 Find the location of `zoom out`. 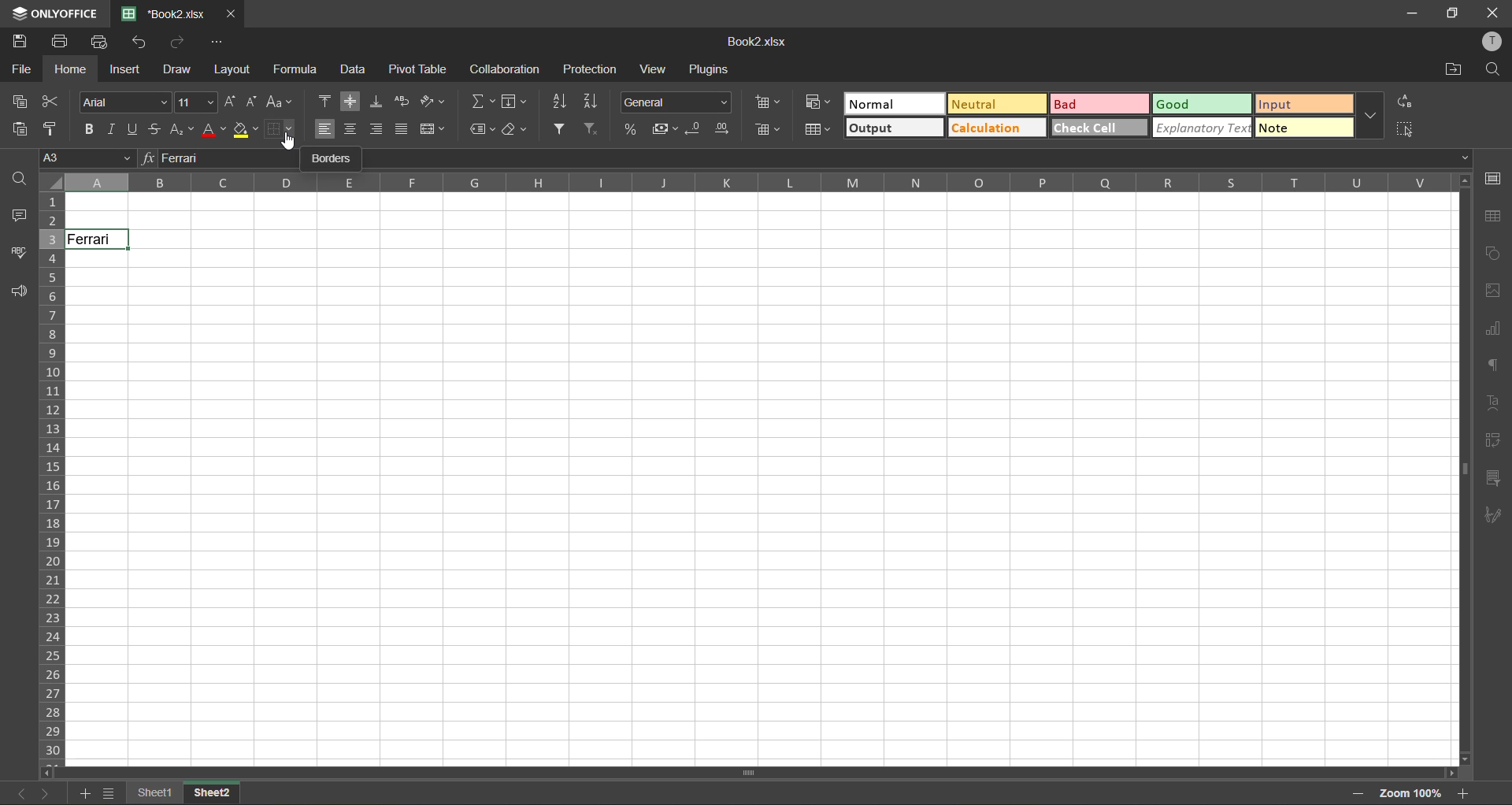

zoom out is located at coordinates (1358, 796).